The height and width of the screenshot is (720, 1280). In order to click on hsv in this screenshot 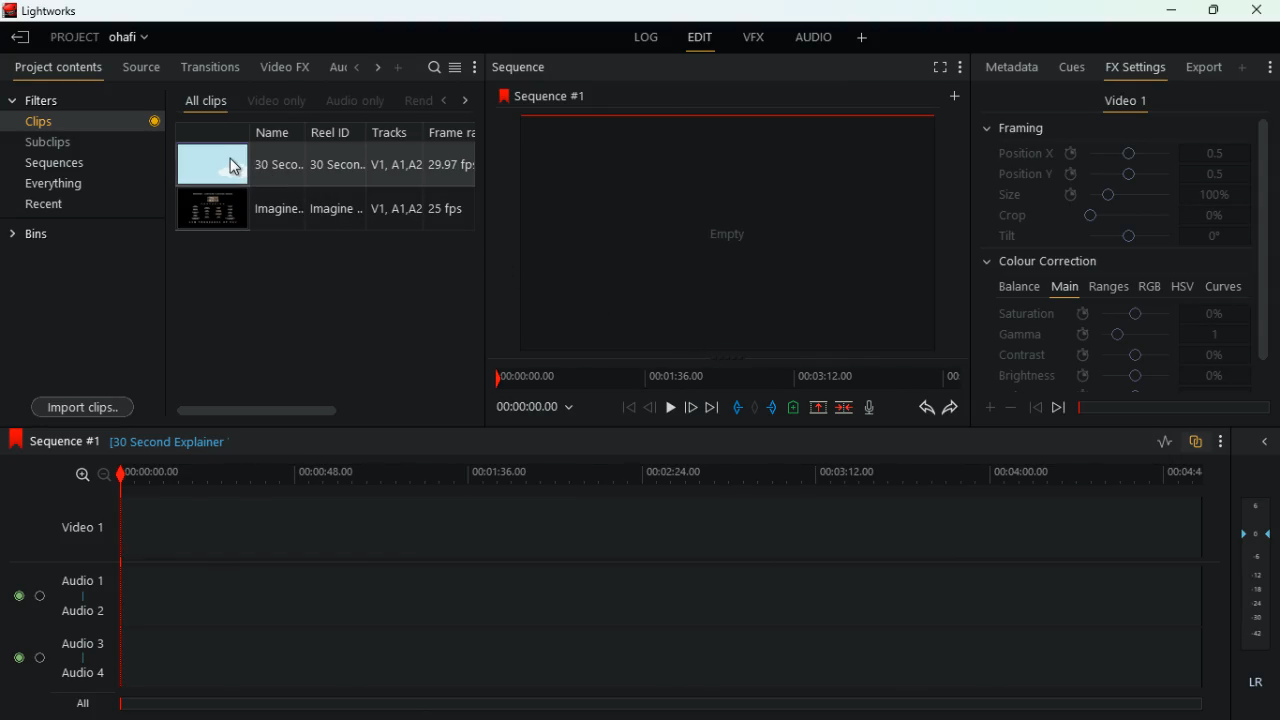, I will do `click(1181, 285)`.